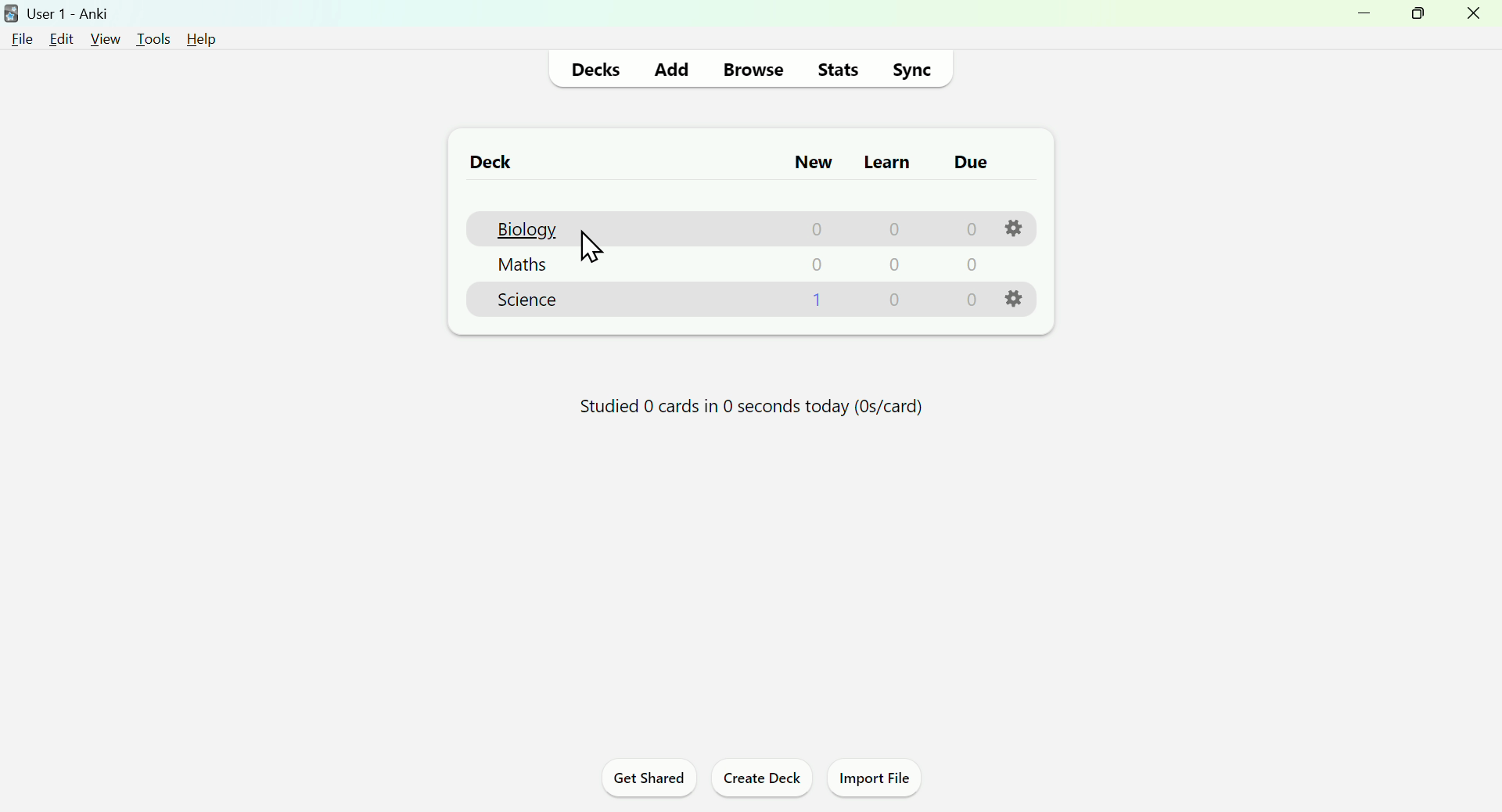 This screenshot has height=812, width=1502. What do you see at coordinates (814, 163) in the screenshot?
I see `New` at bounding box center [814, 163].